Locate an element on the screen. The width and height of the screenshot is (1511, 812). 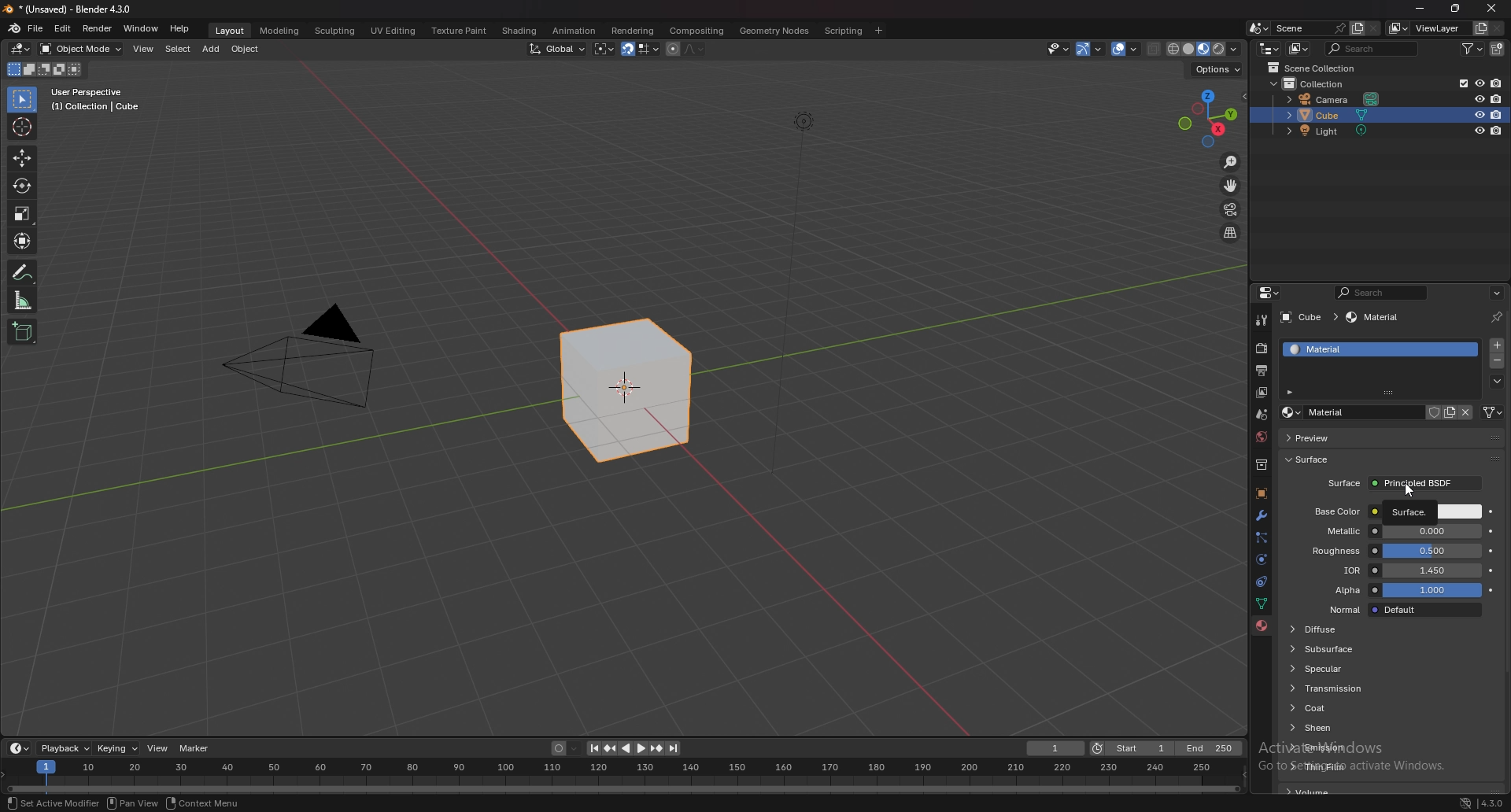
shading is located at coordinates (518, 31).